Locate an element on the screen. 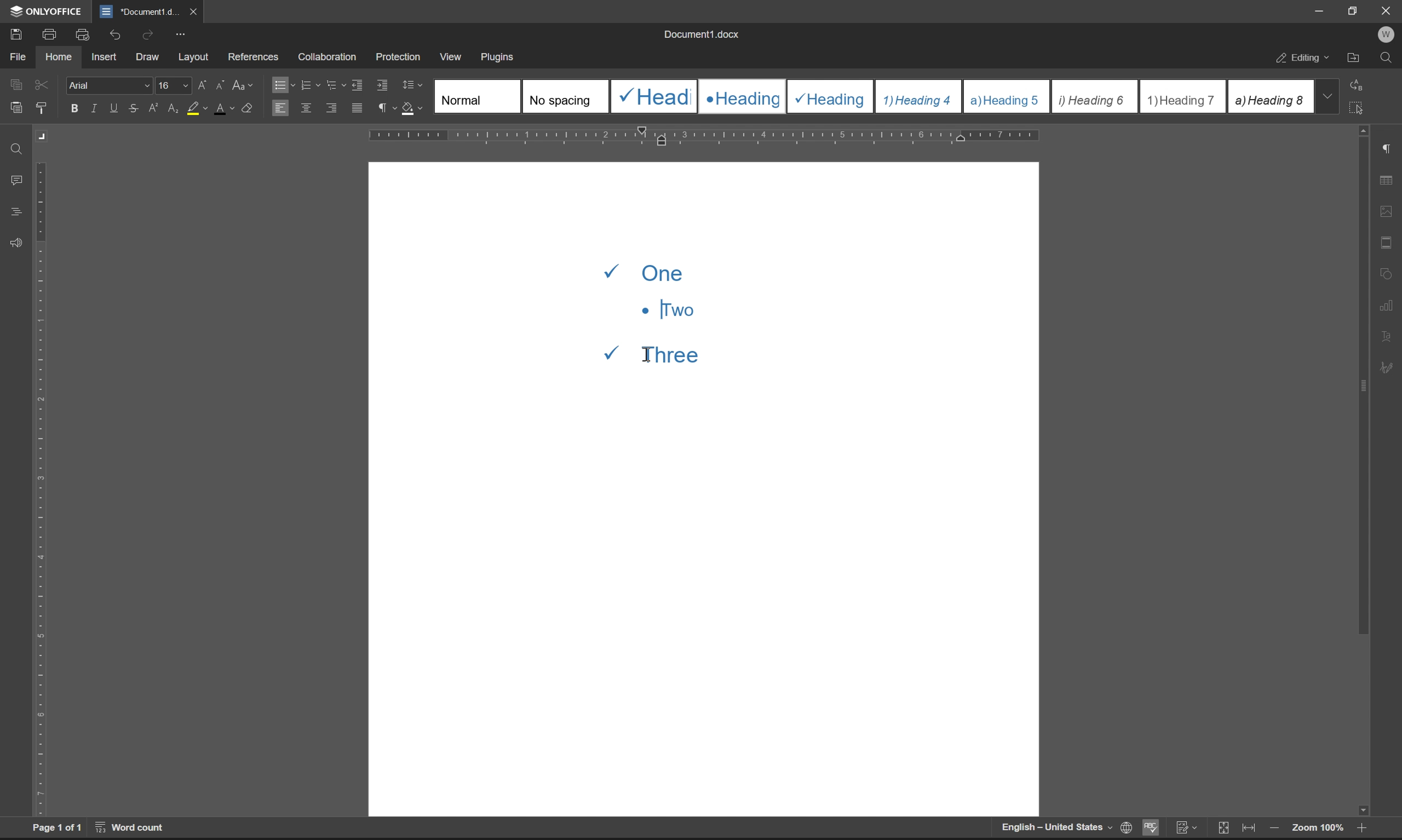  caopy is located at coordinates (14, 87).